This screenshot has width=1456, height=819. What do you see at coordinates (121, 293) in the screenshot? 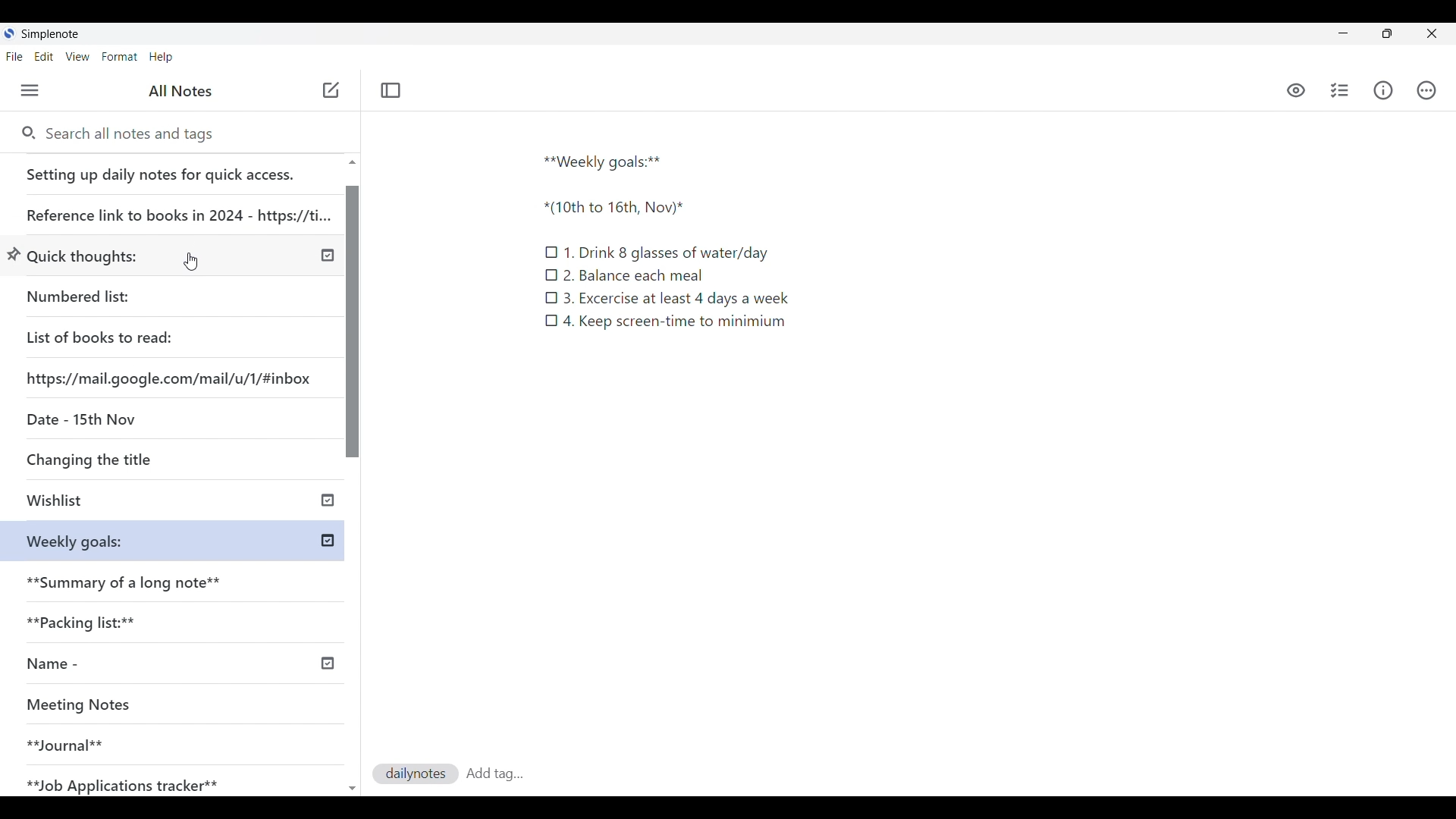
I see `Numbered list` at bounding box center [121, 293].